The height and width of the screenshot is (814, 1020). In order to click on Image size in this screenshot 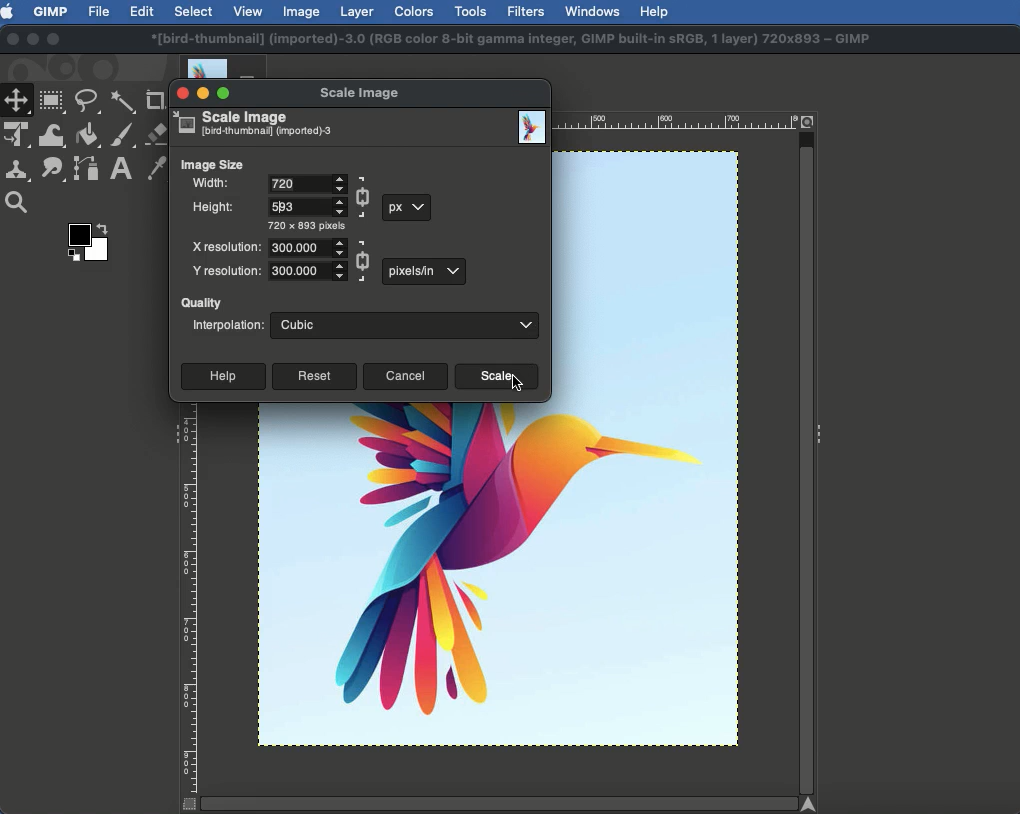, I will do `click(214, 163)`.